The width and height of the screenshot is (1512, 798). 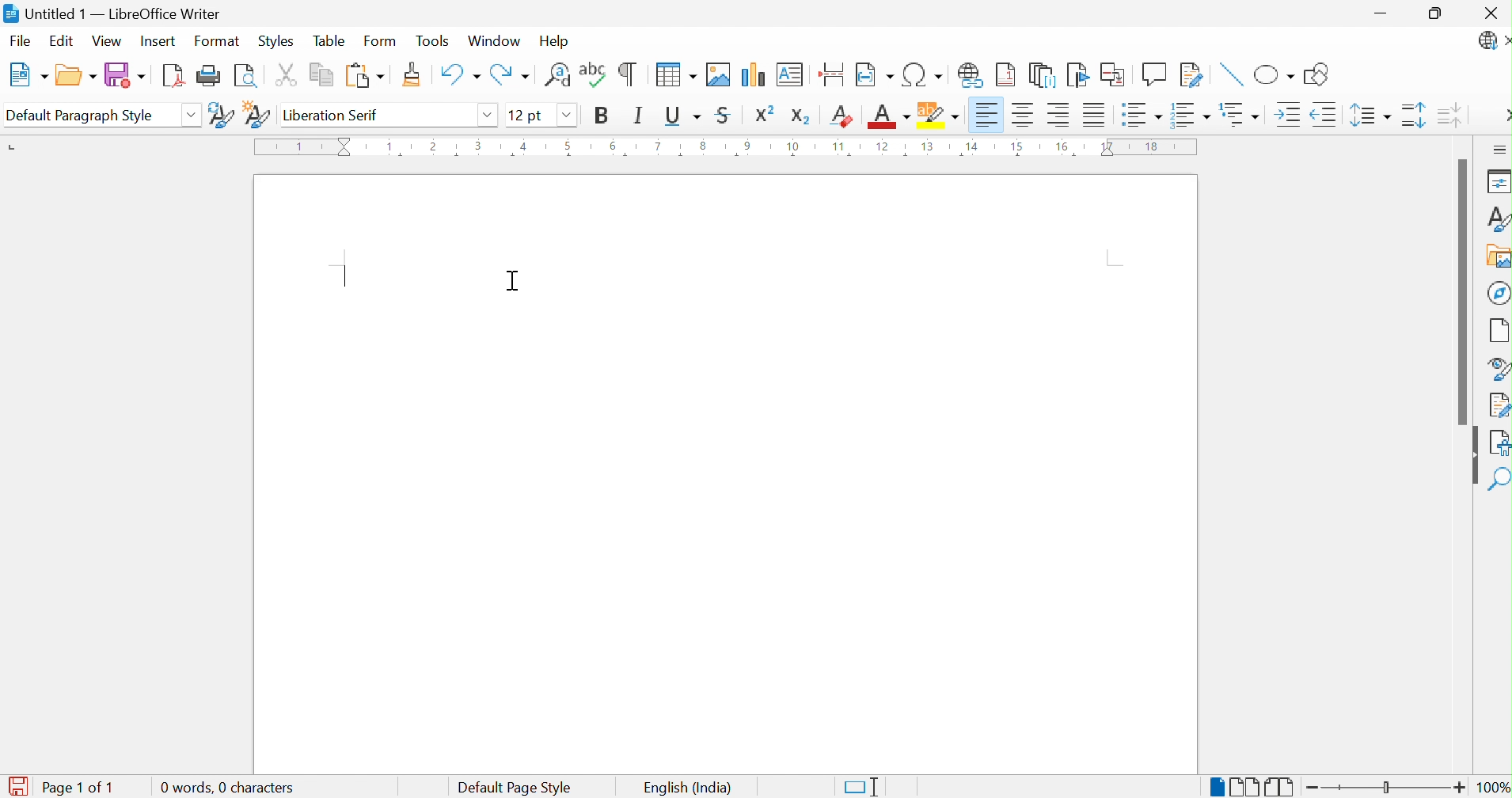 I want to click on Styles, so click(x=275, y=40).